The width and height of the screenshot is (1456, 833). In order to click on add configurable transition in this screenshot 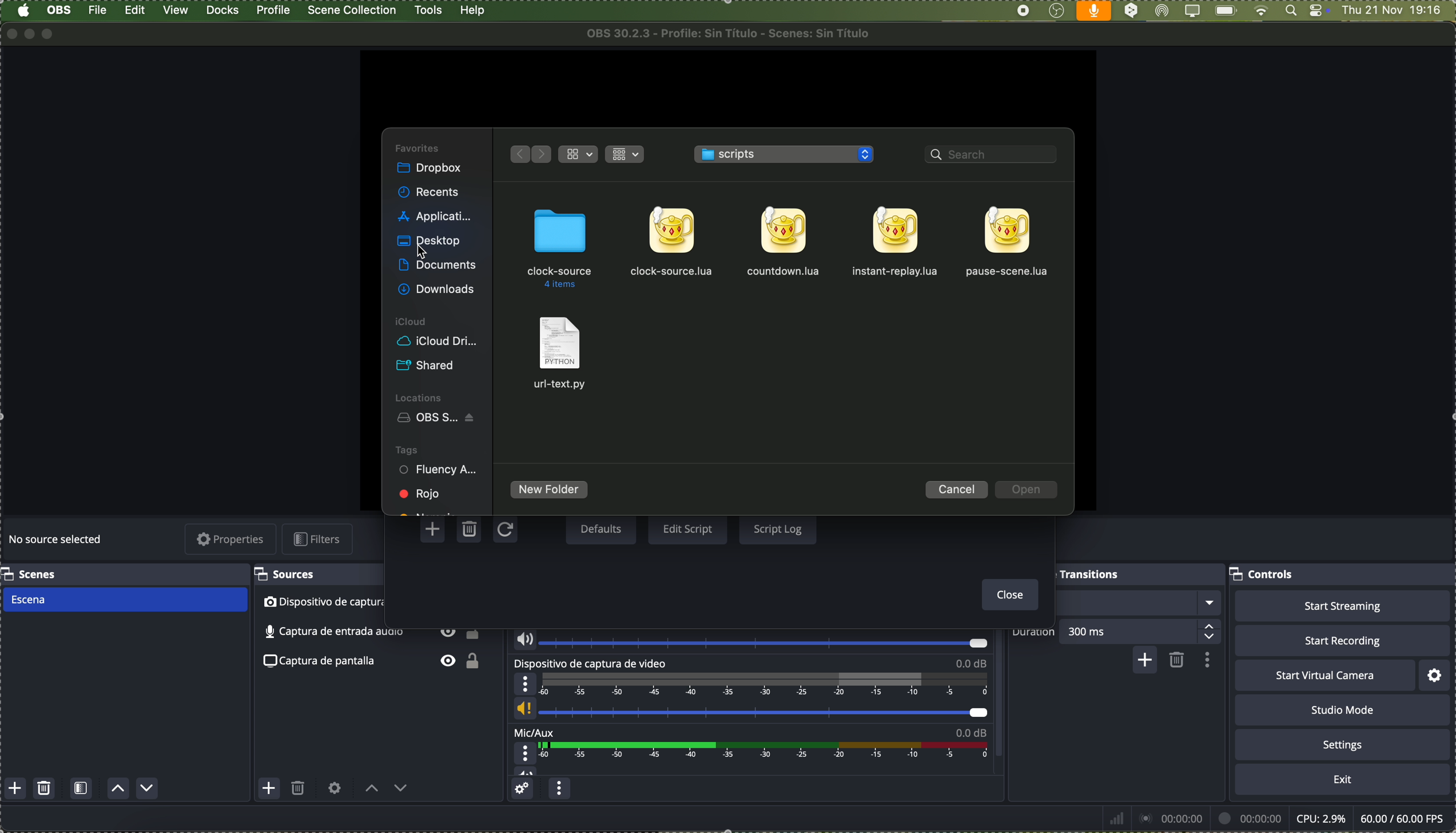, I will do `click(1143, 661)`.